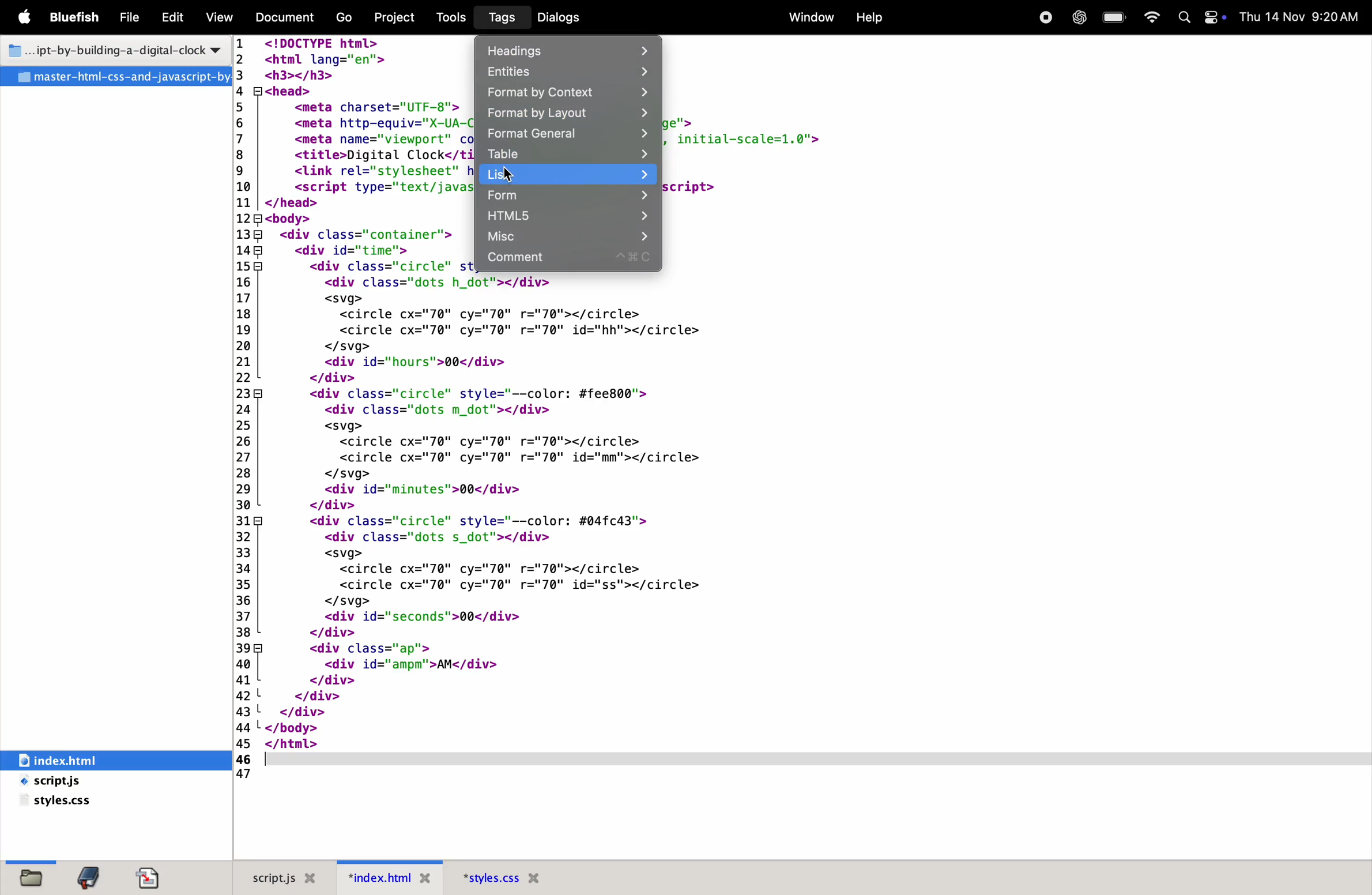  I want to click on index.html, so click(390, 877).